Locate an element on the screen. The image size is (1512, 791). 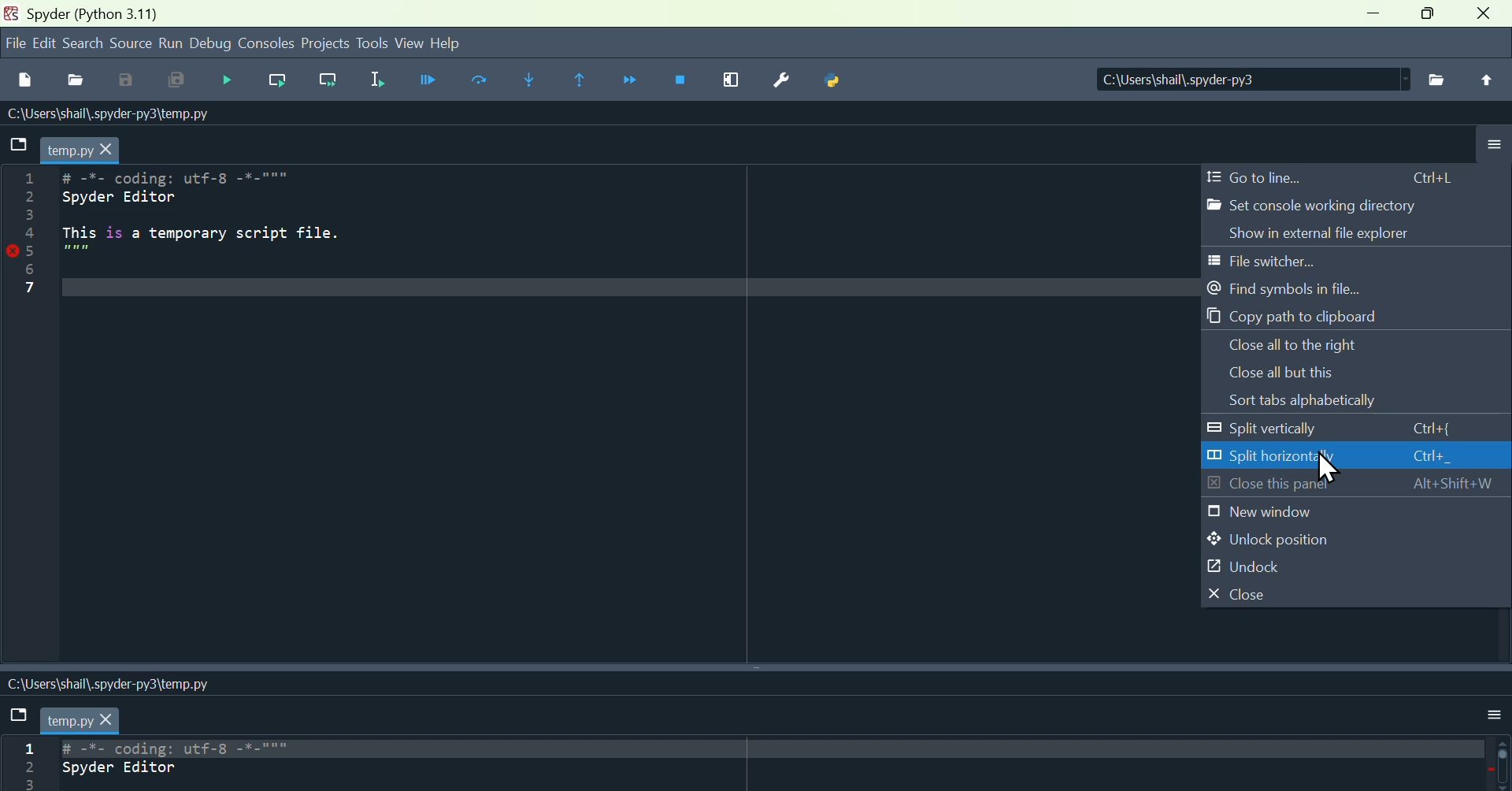
Unlock is located at coordinates (1262, 568).